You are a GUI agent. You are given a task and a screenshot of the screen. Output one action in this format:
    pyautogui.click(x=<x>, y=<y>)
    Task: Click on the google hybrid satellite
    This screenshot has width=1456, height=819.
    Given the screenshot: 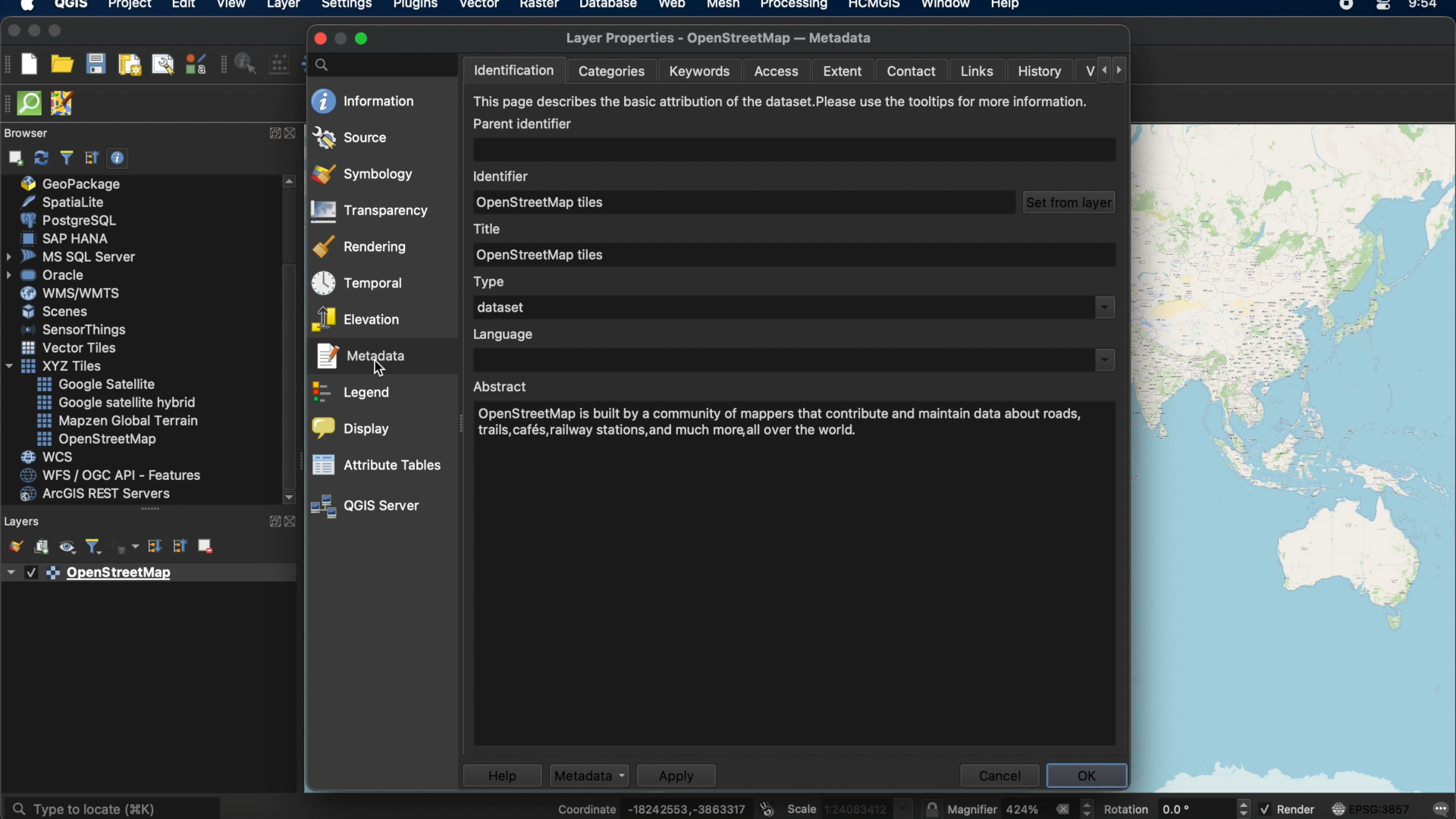 What is the action you would take?
    pyautogui.click(x=113, y=400)
    